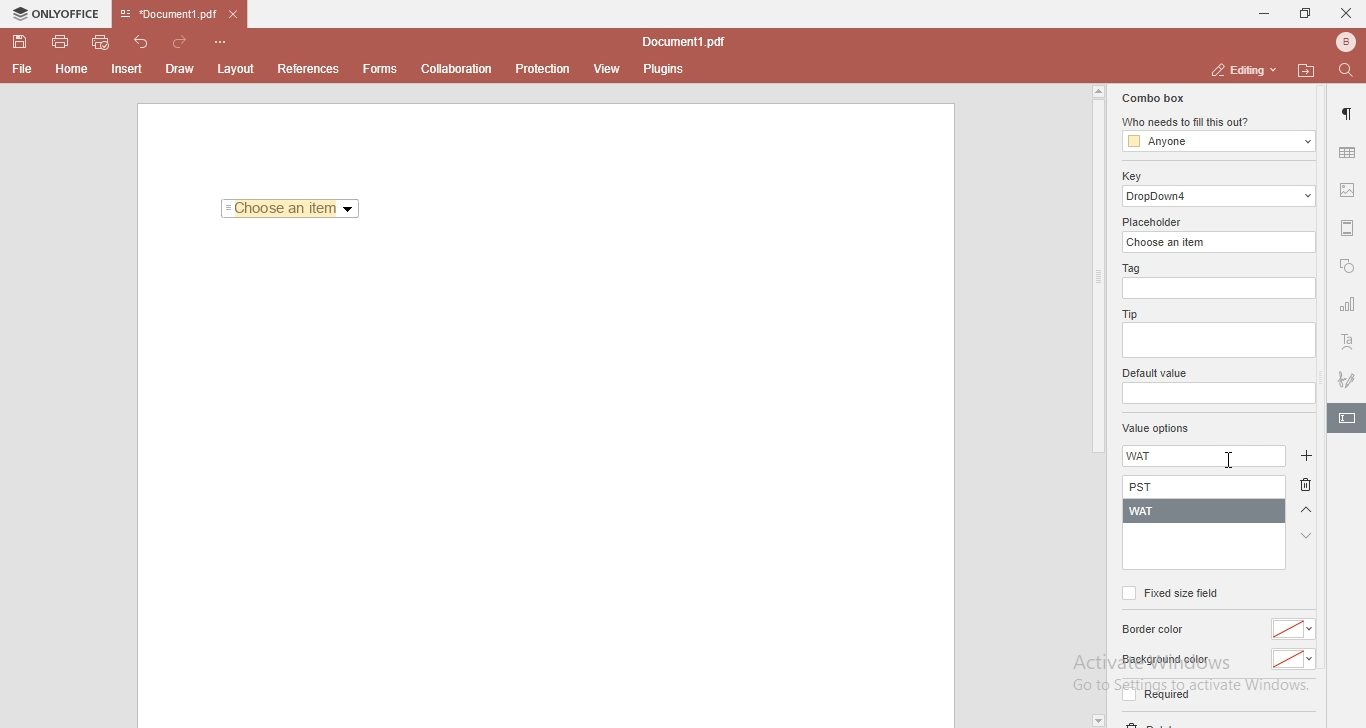  Describe the element at coordinates (1154, 698) in the screenshot. I see `required` at that location.